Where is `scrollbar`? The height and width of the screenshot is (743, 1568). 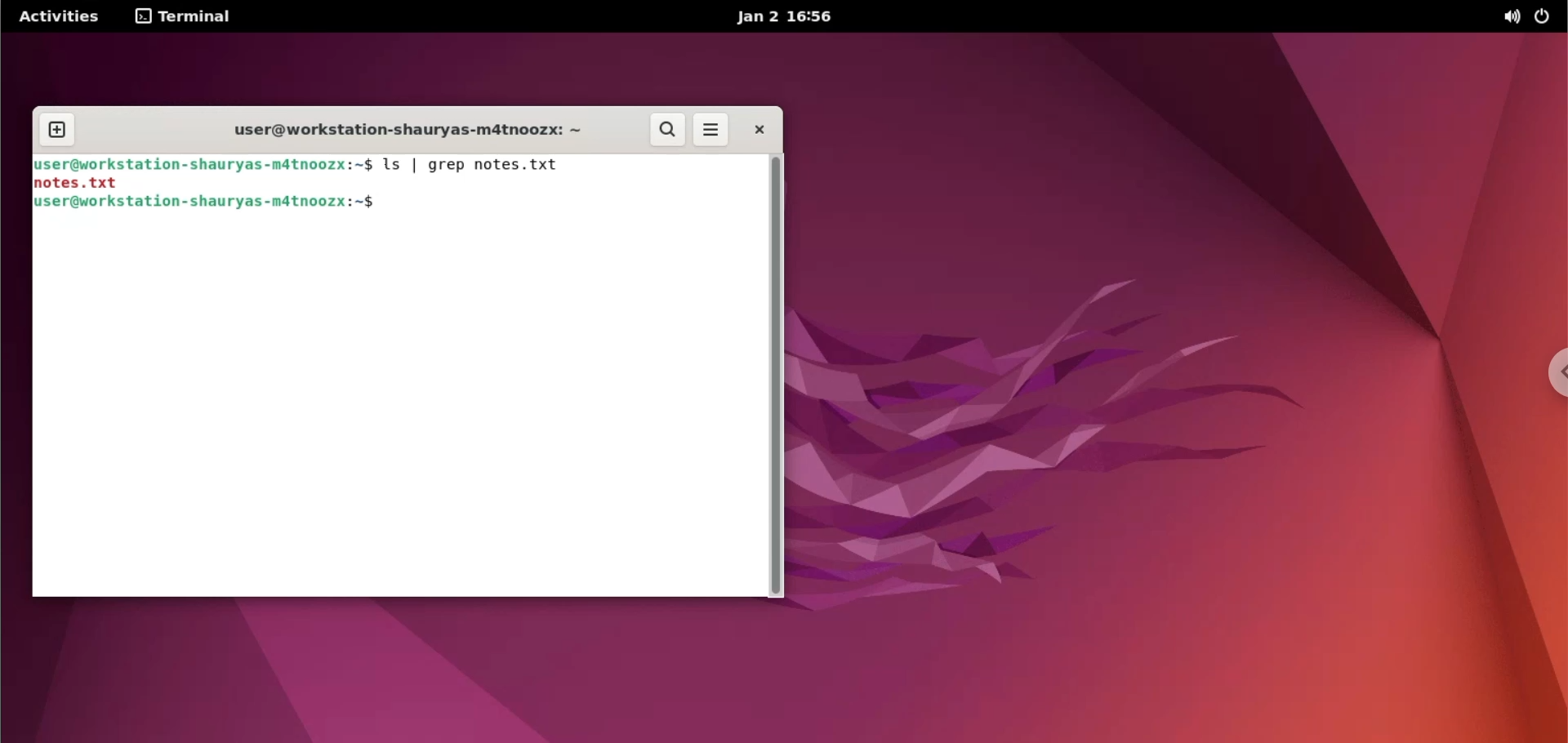 scrollbar is located at coordinates (777, 374).